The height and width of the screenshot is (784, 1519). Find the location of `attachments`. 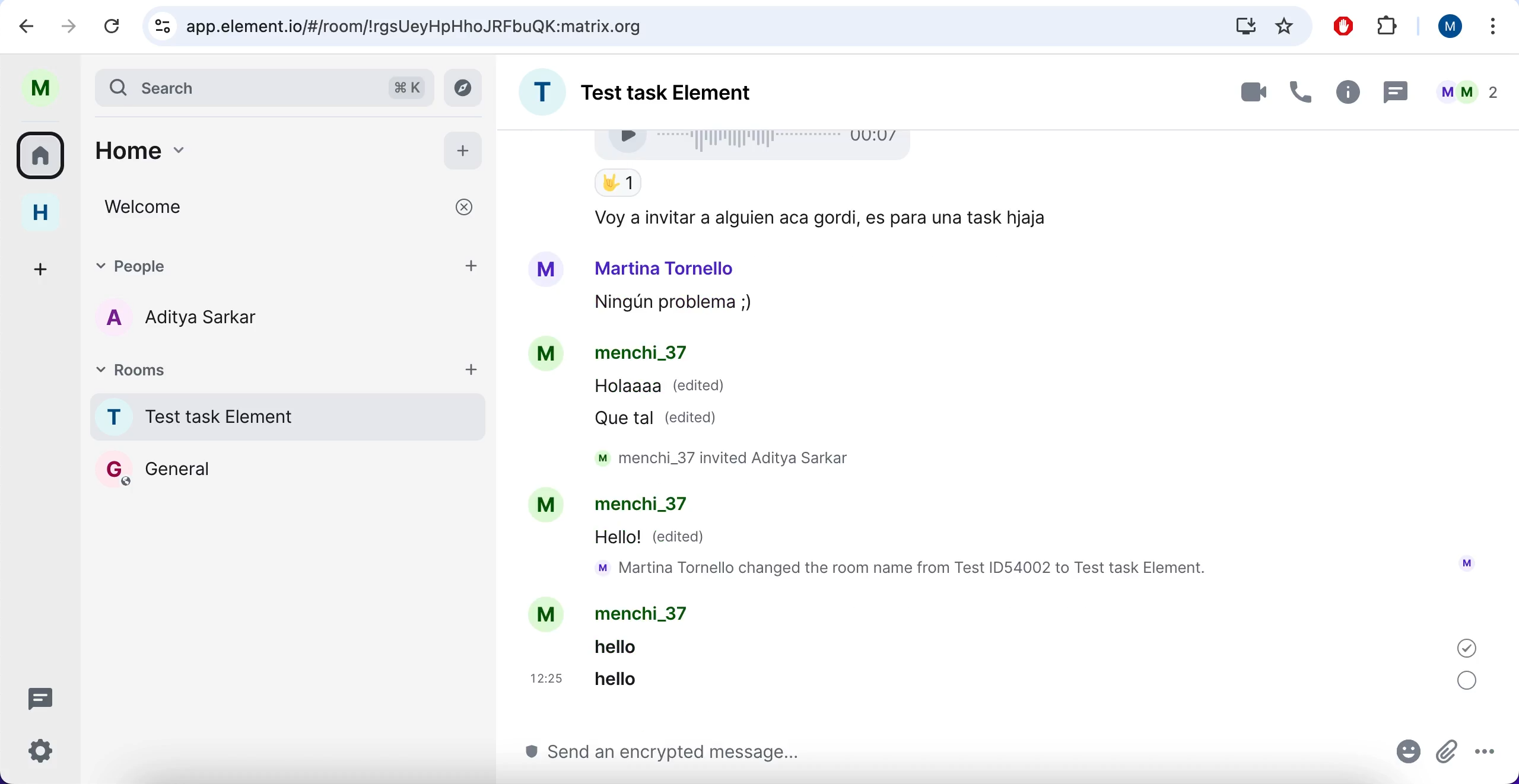

attachments is located at coordinates (1446, 751).